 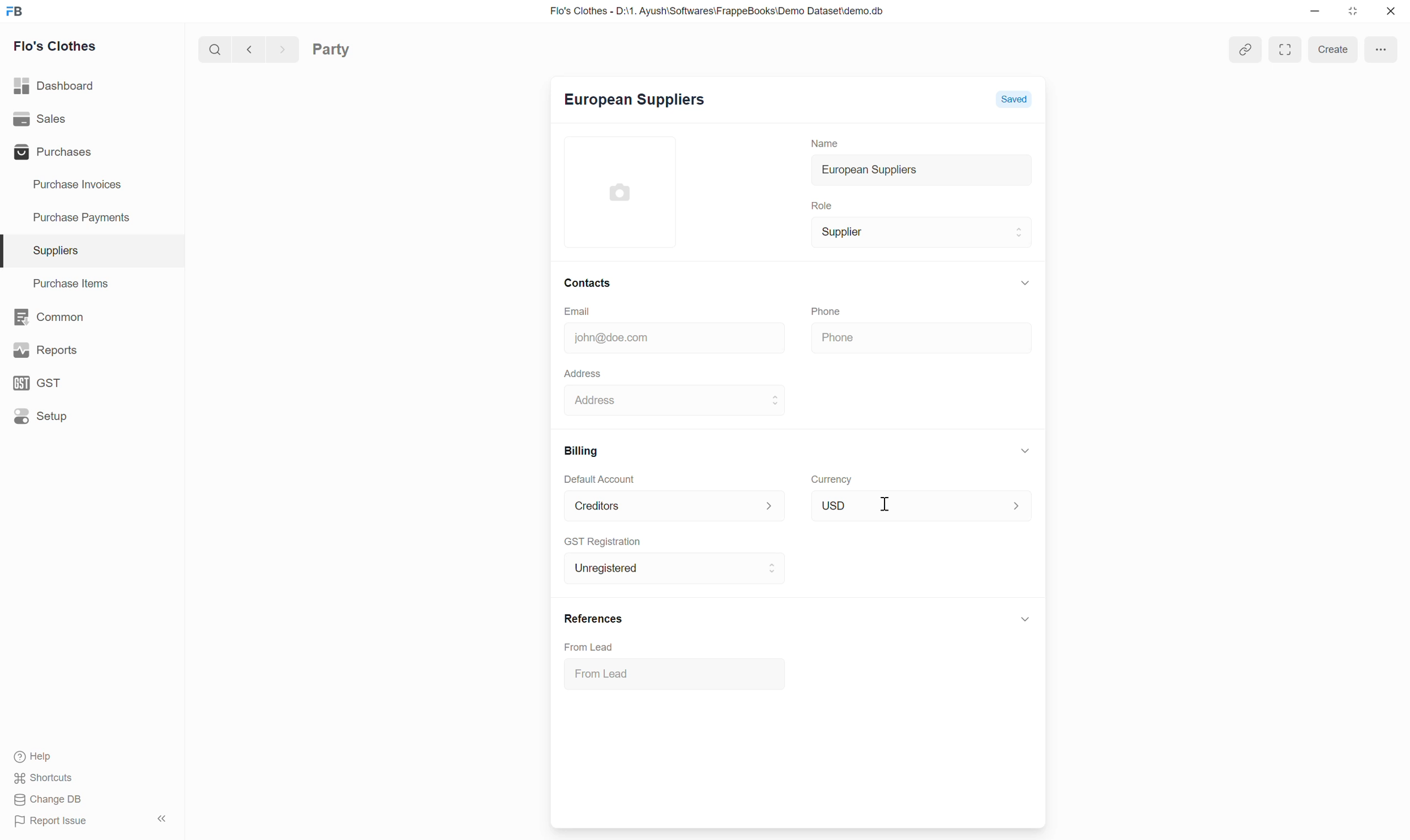 I want to click on Saved, so click(x=1019, y=101).